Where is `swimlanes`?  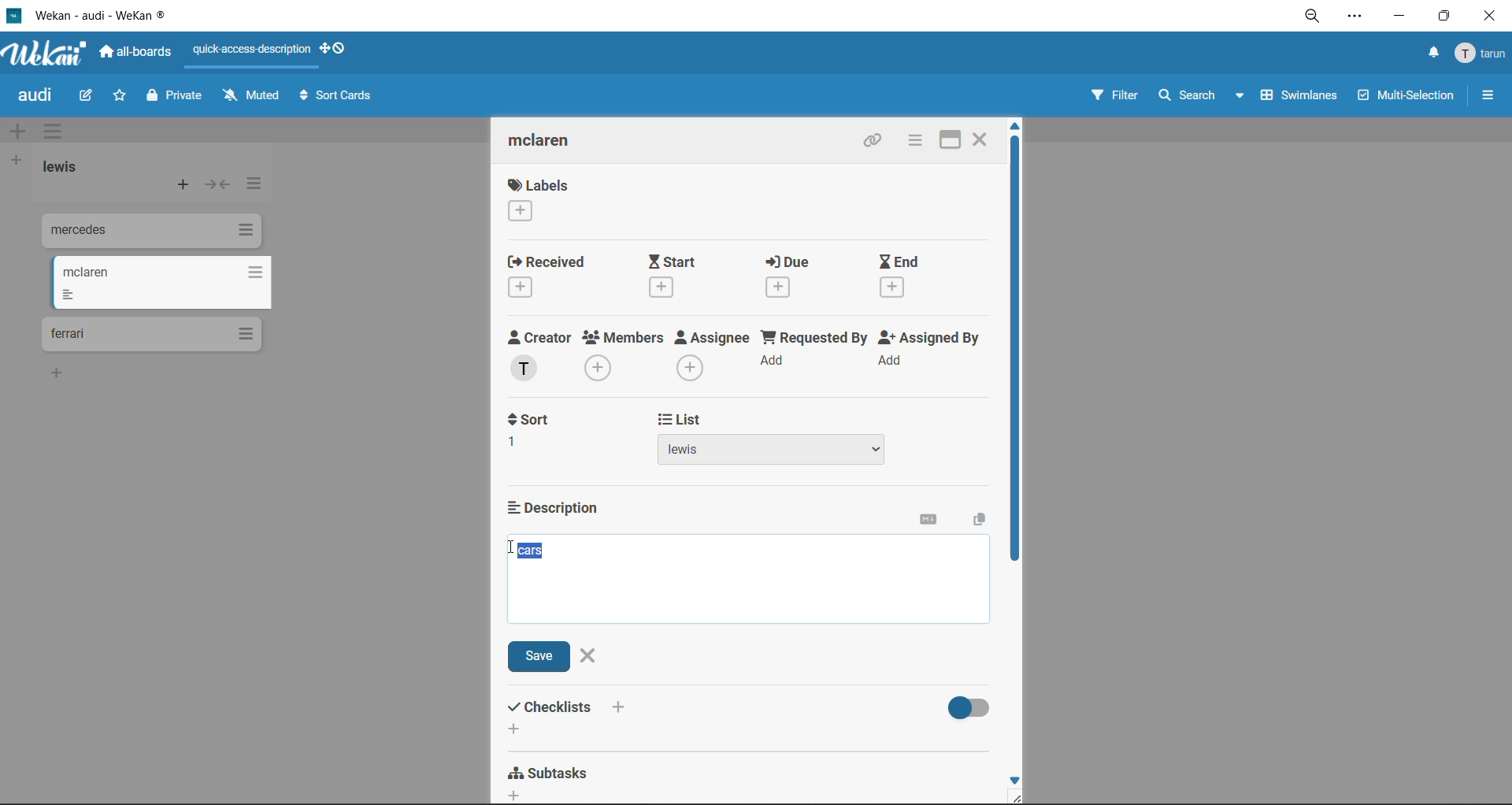 swimlanes is located at coordinates (1294, 99).